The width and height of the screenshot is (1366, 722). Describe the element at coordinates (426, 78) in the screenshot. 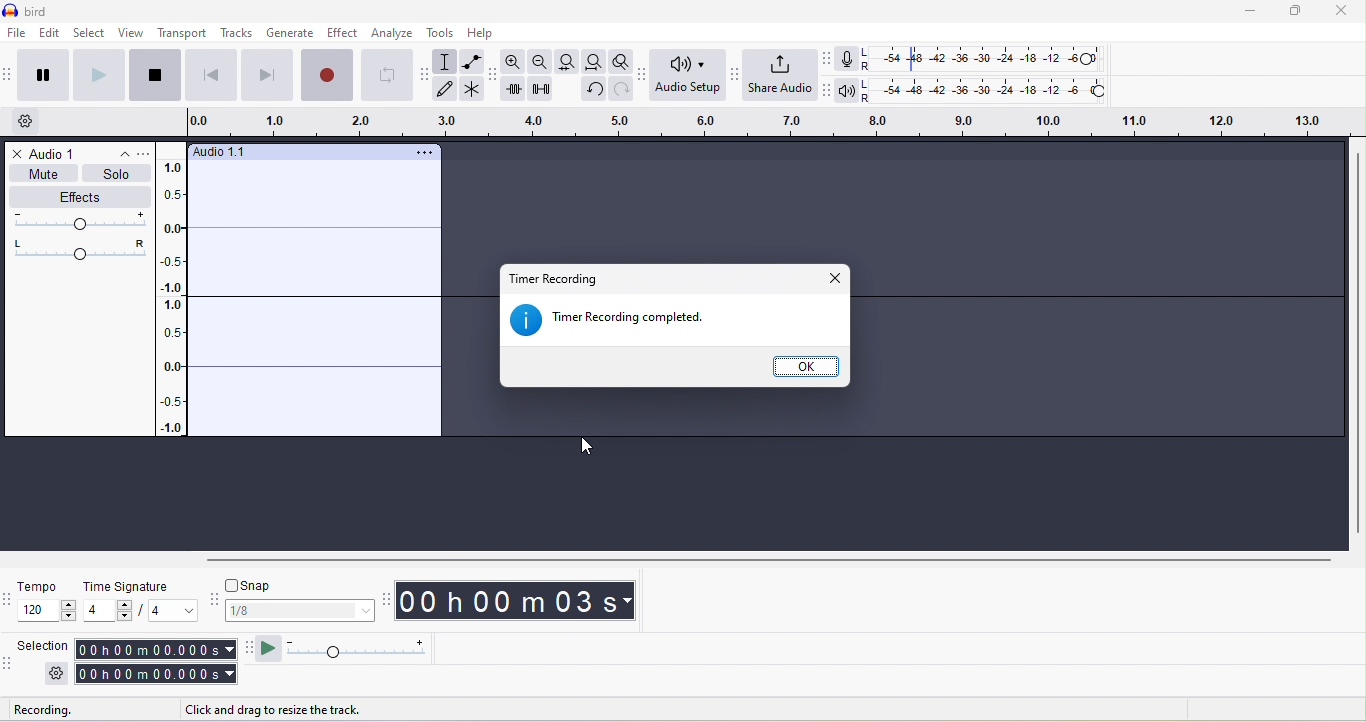

I see `audacity tools toolbar` at that location.